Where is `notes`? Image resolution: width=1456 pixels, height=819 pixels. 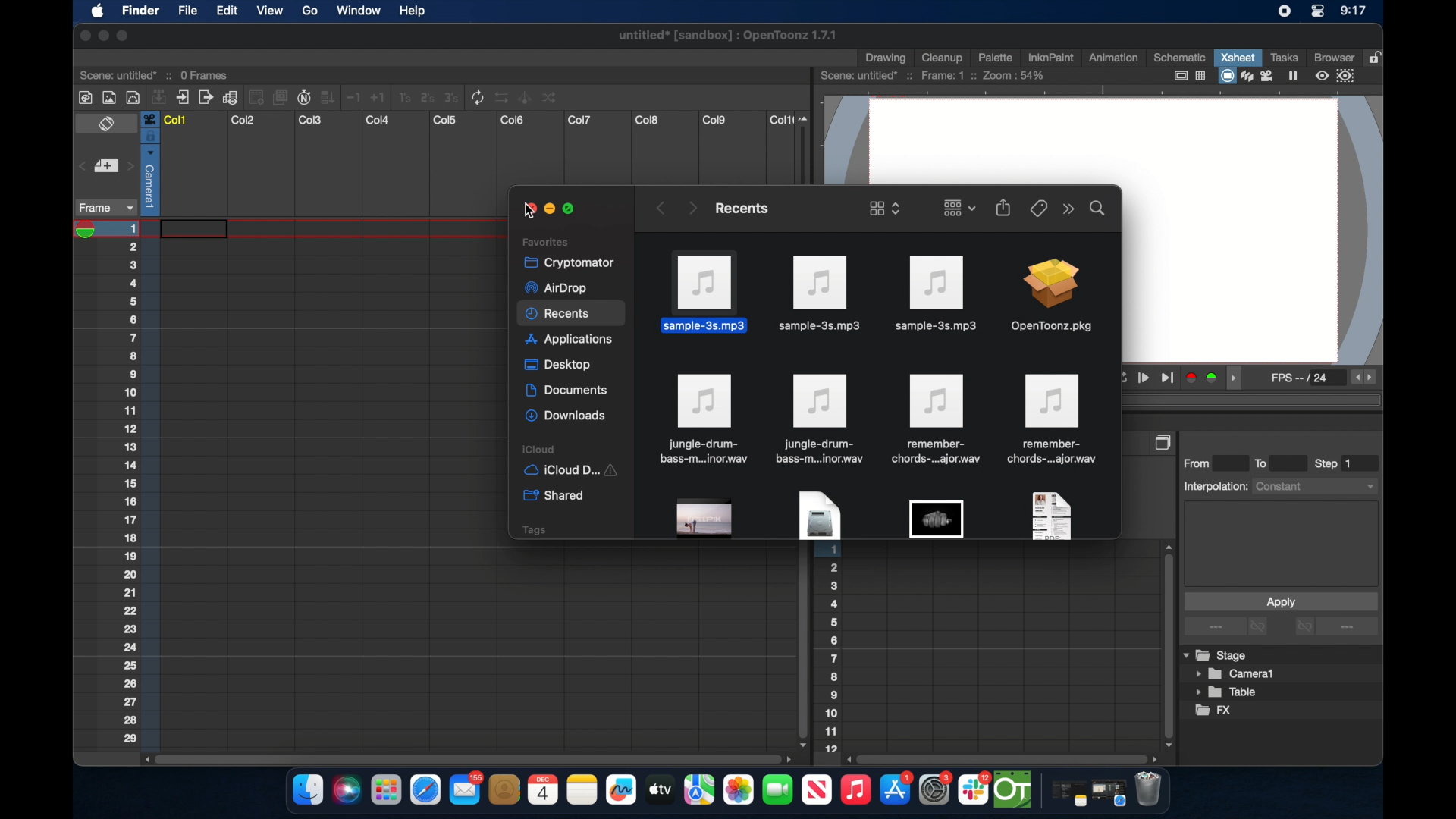
notes is located at coordinates (1065, 795).